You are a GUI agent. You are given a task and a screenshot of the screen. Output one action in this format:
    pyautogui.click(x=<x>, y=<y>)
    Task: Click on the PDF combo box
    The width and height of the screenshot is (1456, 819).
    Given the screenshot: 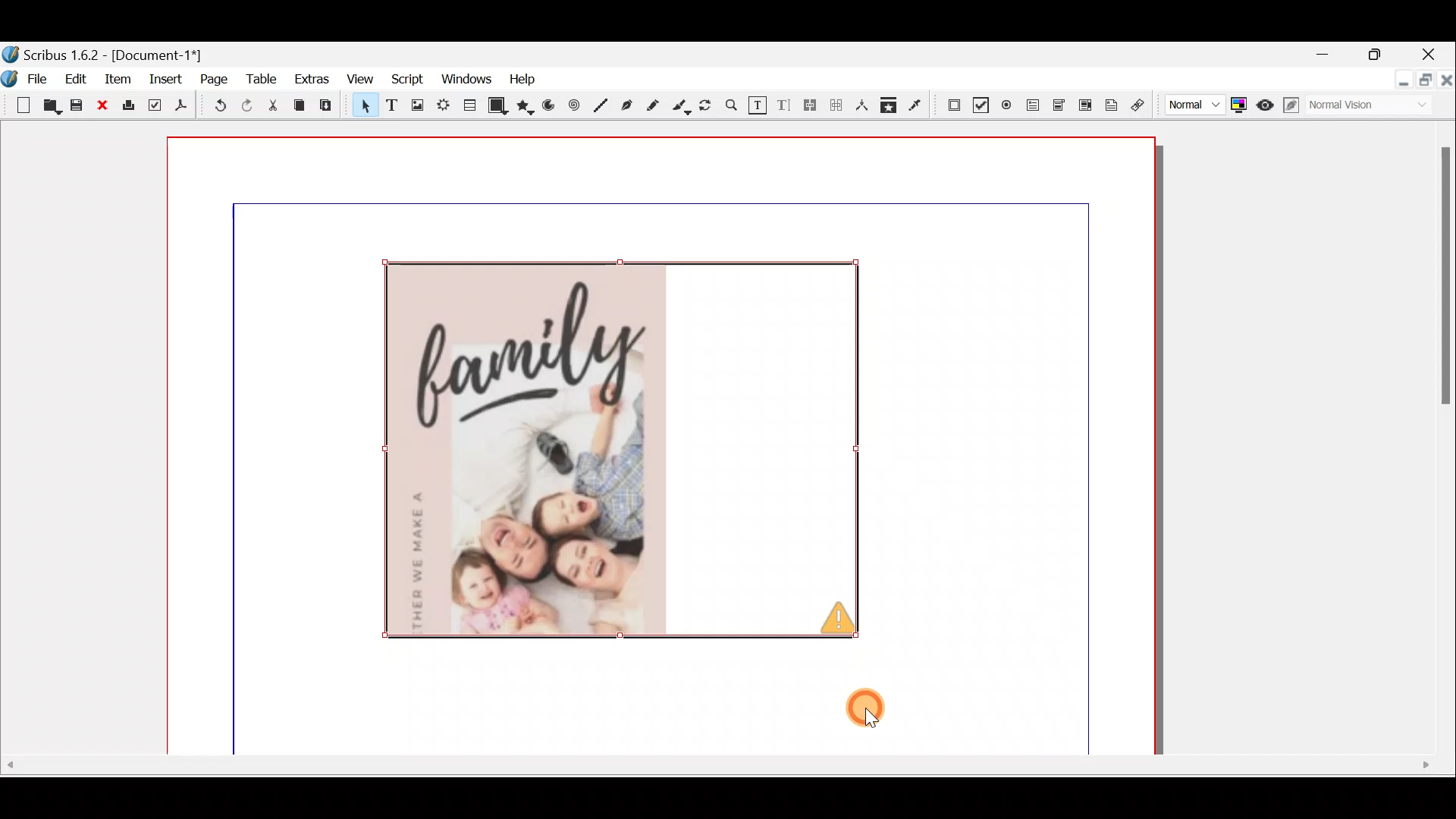 What is the action you would take?
    pyautogui.click(x=1060, y=105)
    